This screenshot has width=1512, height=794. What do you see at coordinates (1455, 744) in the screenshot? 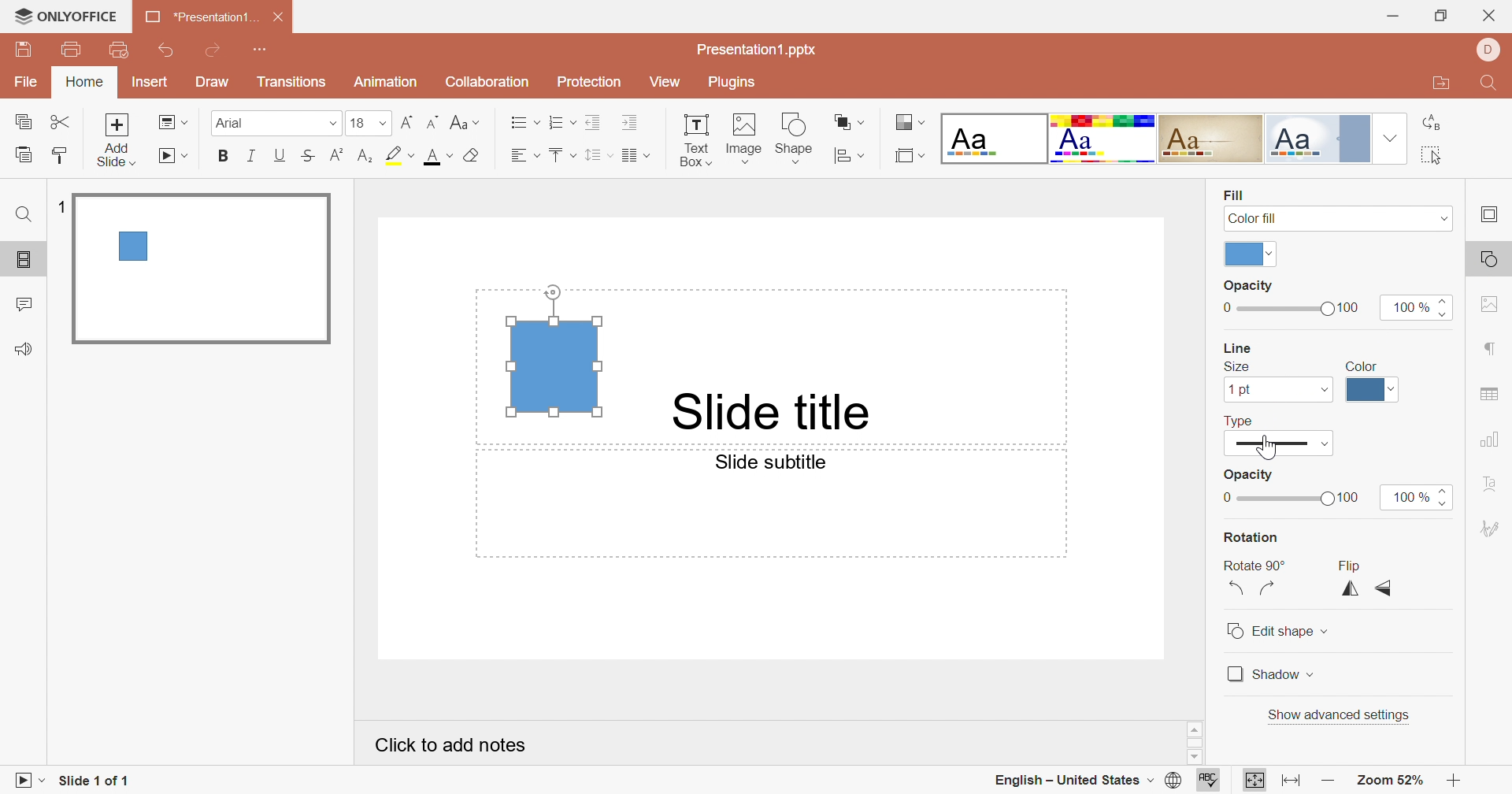
I see `Scroll bar` at bounding box center [1455, 744].